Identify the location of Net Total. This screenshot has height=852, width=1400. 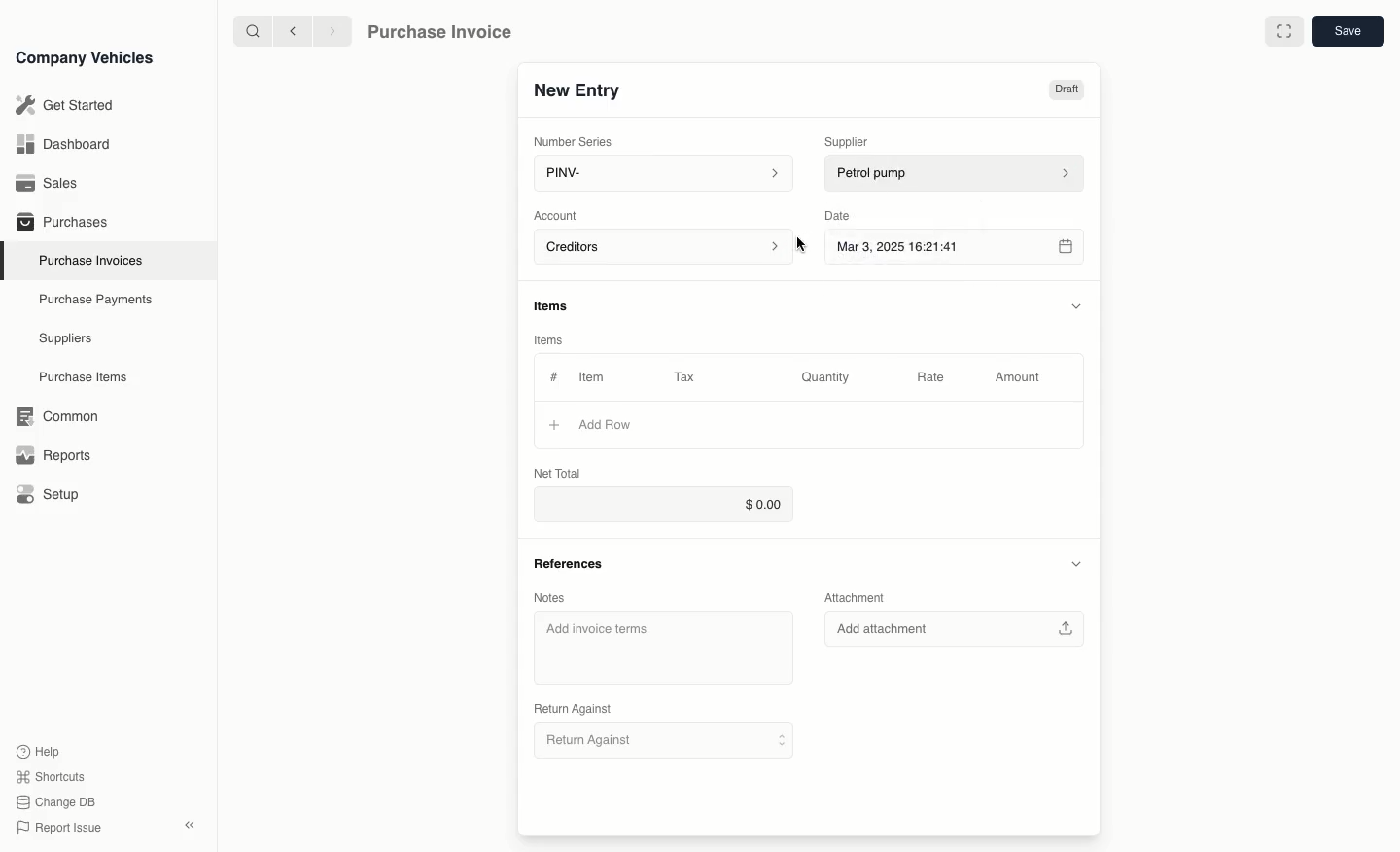
(557, 475).